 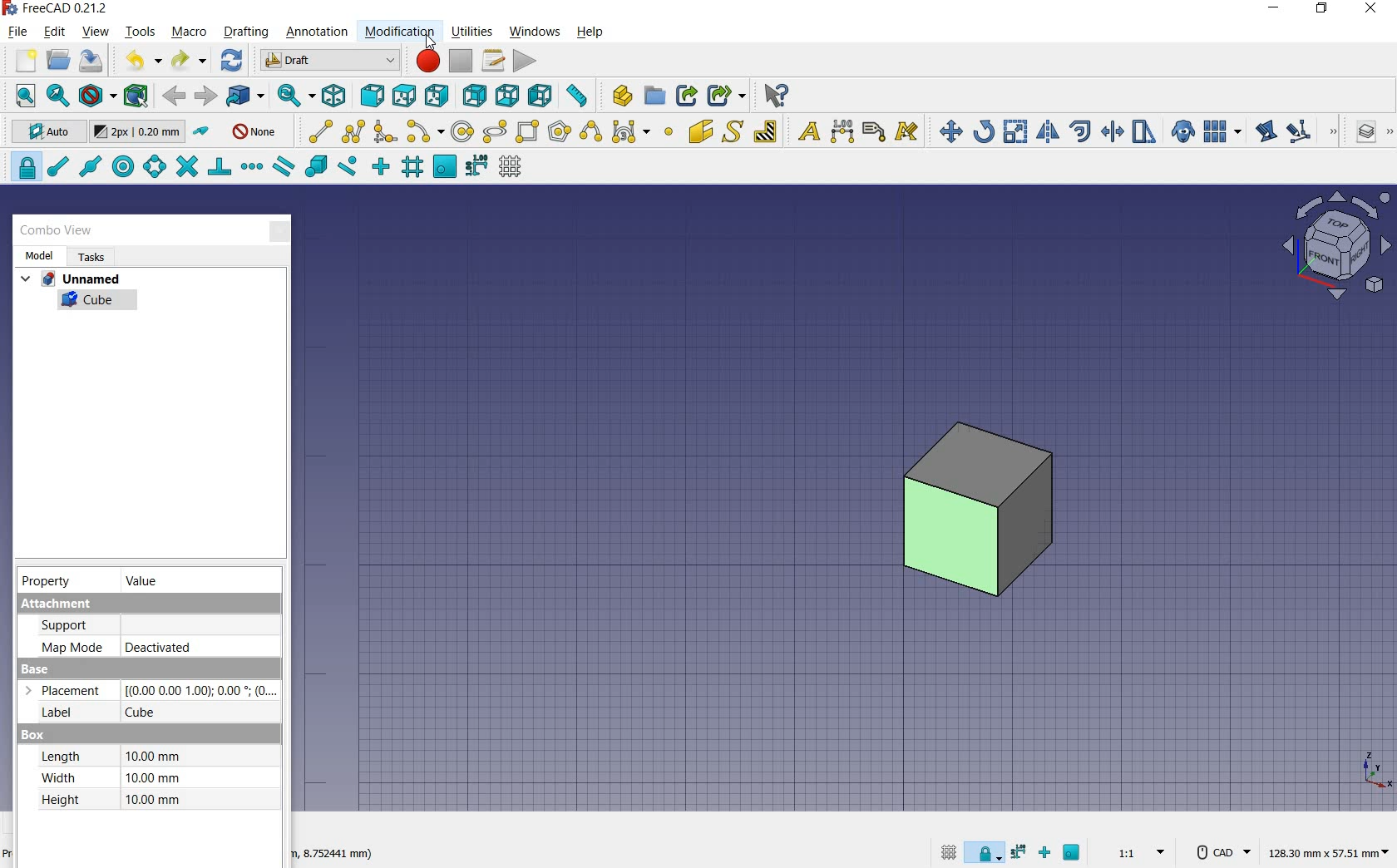 What do you see at coordinates (437, 95) in the screenshot?
I see `right` at bounding box center [437, 95].